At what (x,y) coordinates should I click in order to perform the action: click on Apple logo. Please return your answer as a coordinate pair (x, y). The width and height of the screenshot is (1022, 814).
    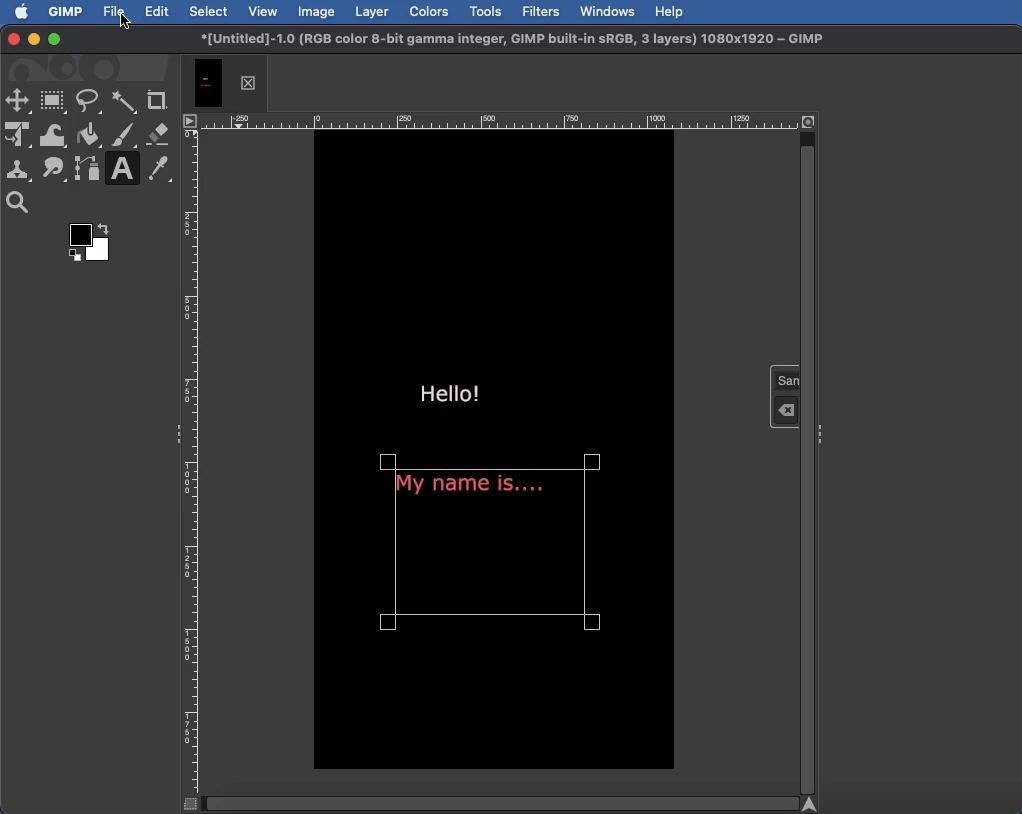
    Looking at the image, I should click on (22, 13).